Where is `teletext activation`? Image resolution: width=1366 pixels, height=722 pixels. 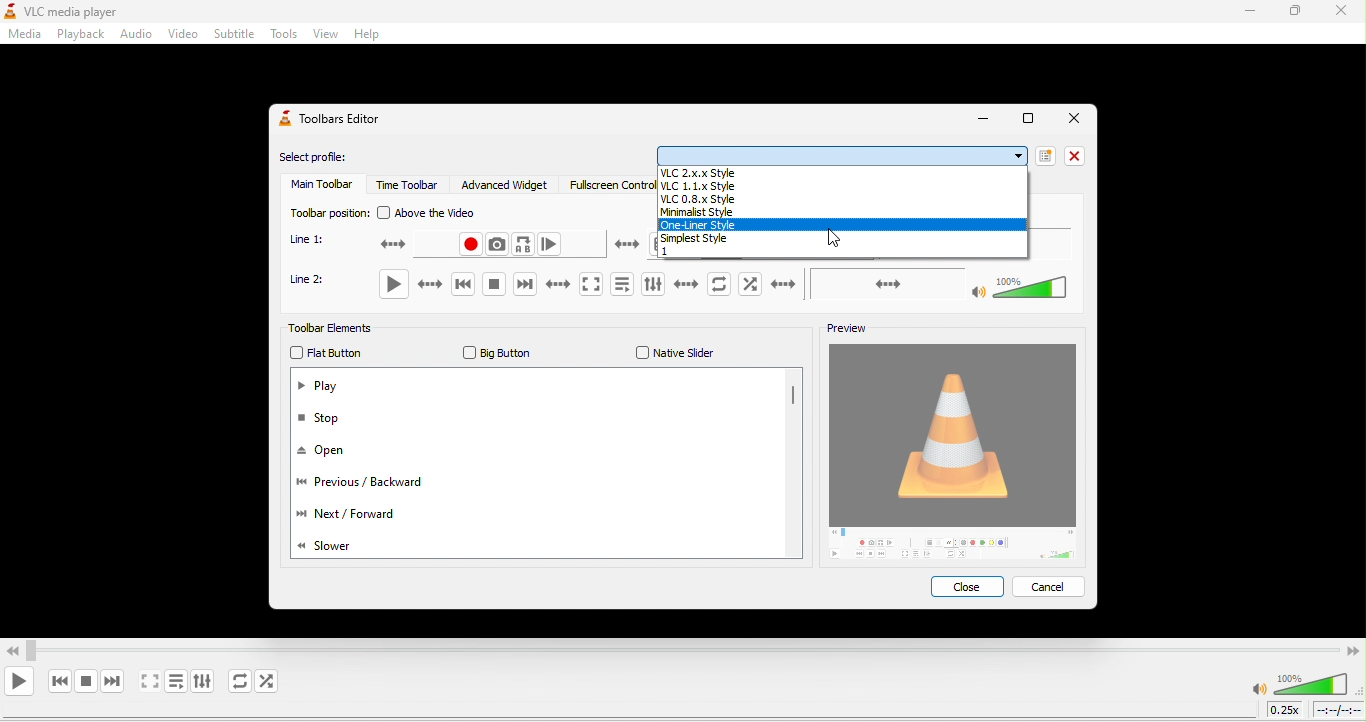 teletext activation is located at coordinates (625, 246).